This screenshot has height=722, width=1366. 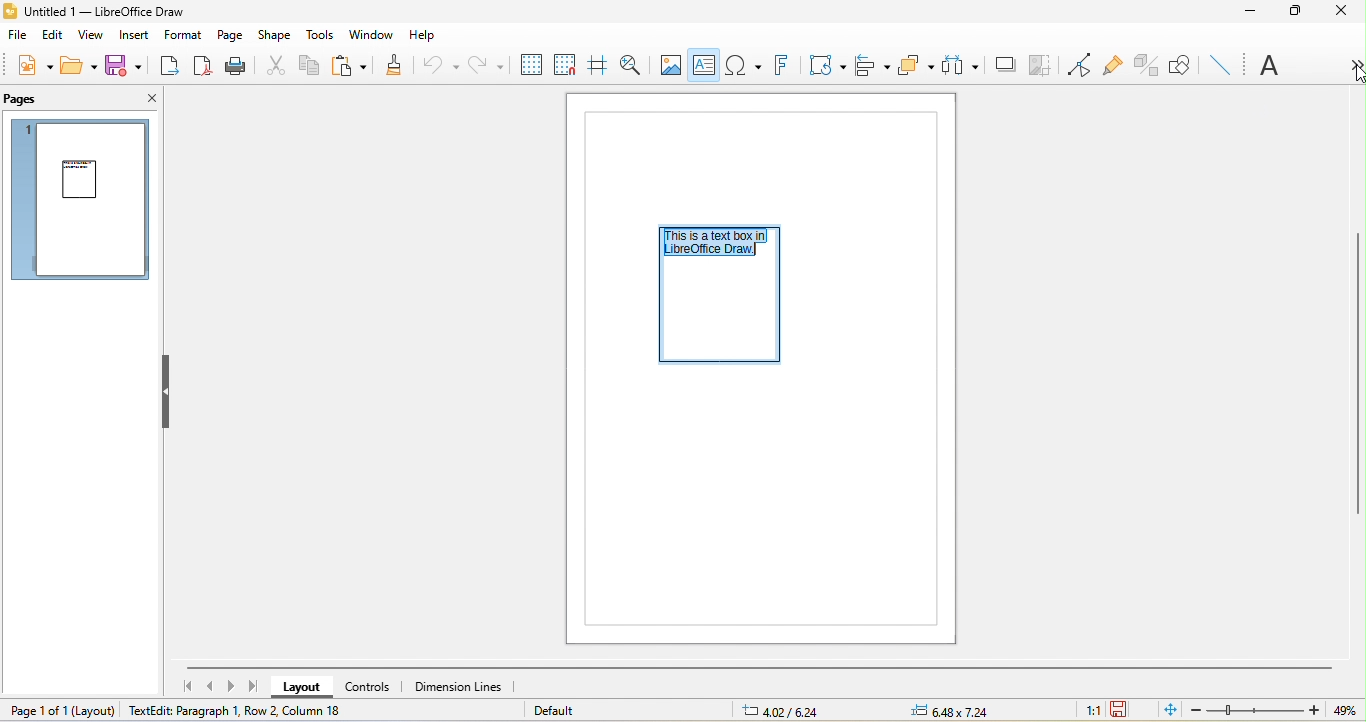 I want to click on previous page, so click(x=209, y=685).